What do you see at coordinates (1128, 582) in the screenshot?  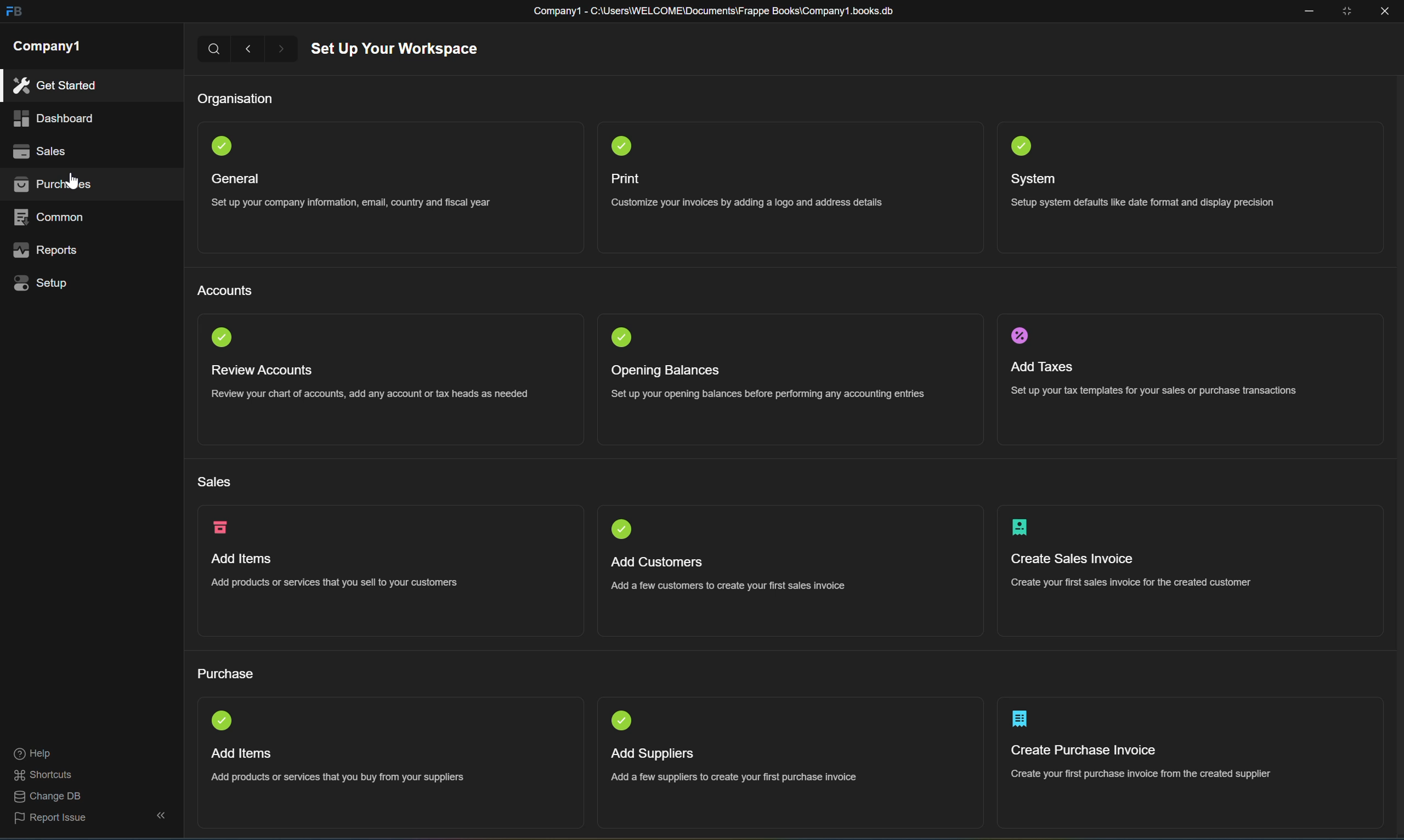 I see `create you first sales invoice for the created customer` at bounding box center [1128, 582].